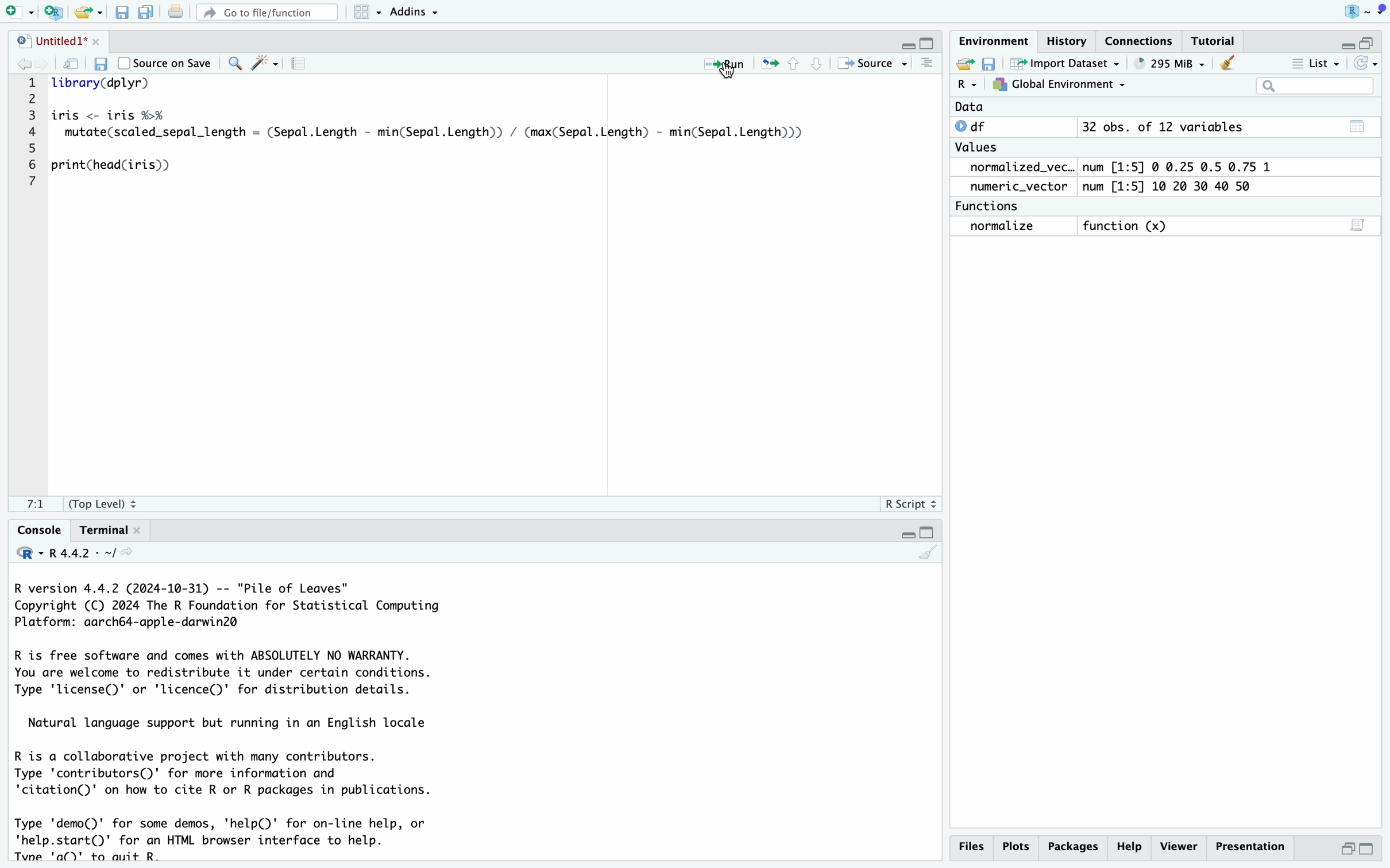 The width and height of the screenshot is (1390, 868). What do you see at coordinates (47, 63) in the screenshot?
I see `Front` at bounding box center [47, 63].